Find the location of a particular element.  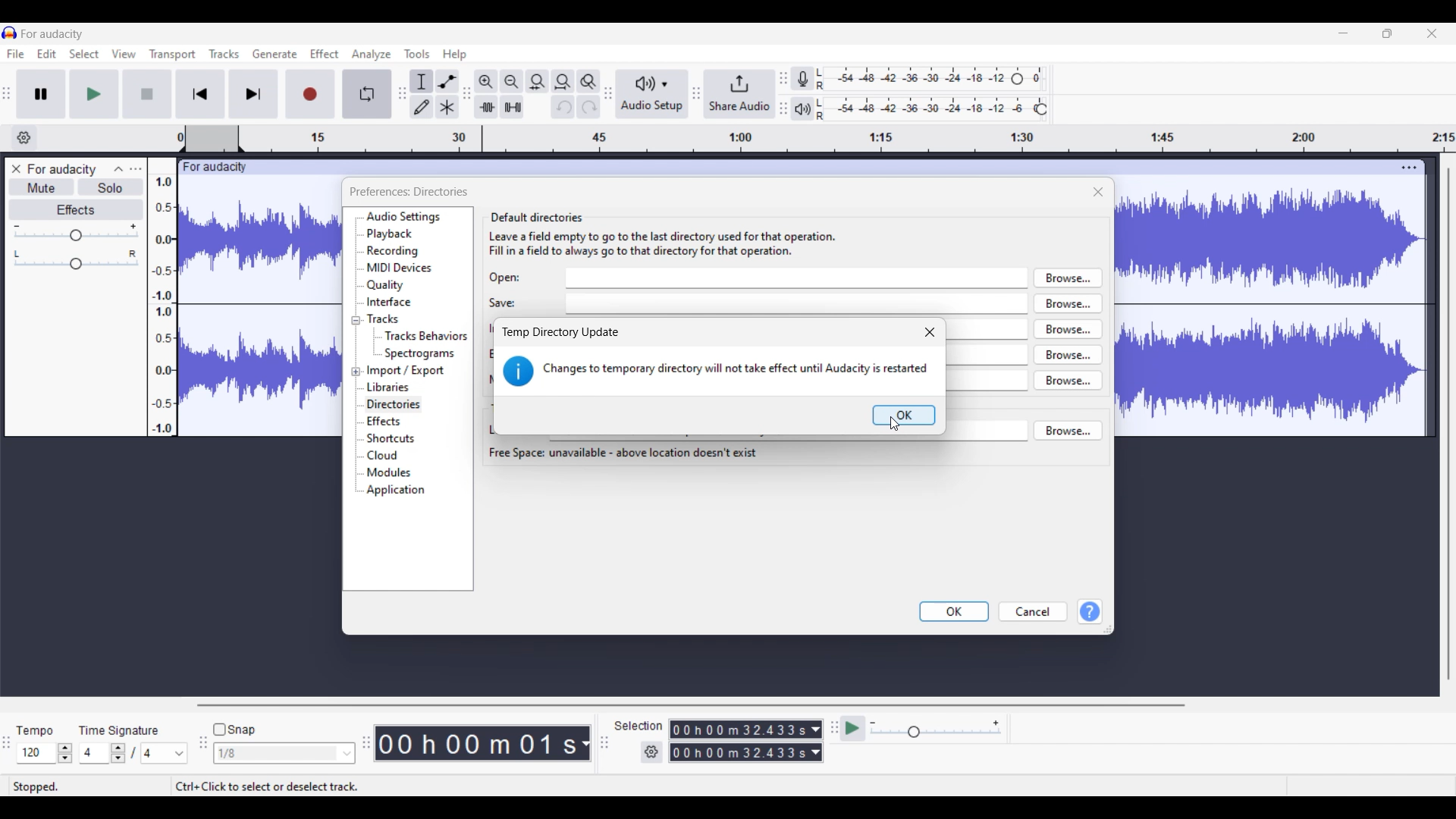

h Changes to temporary directory will not take effect until Audacity is restarted is located at coordinates (716, 374).